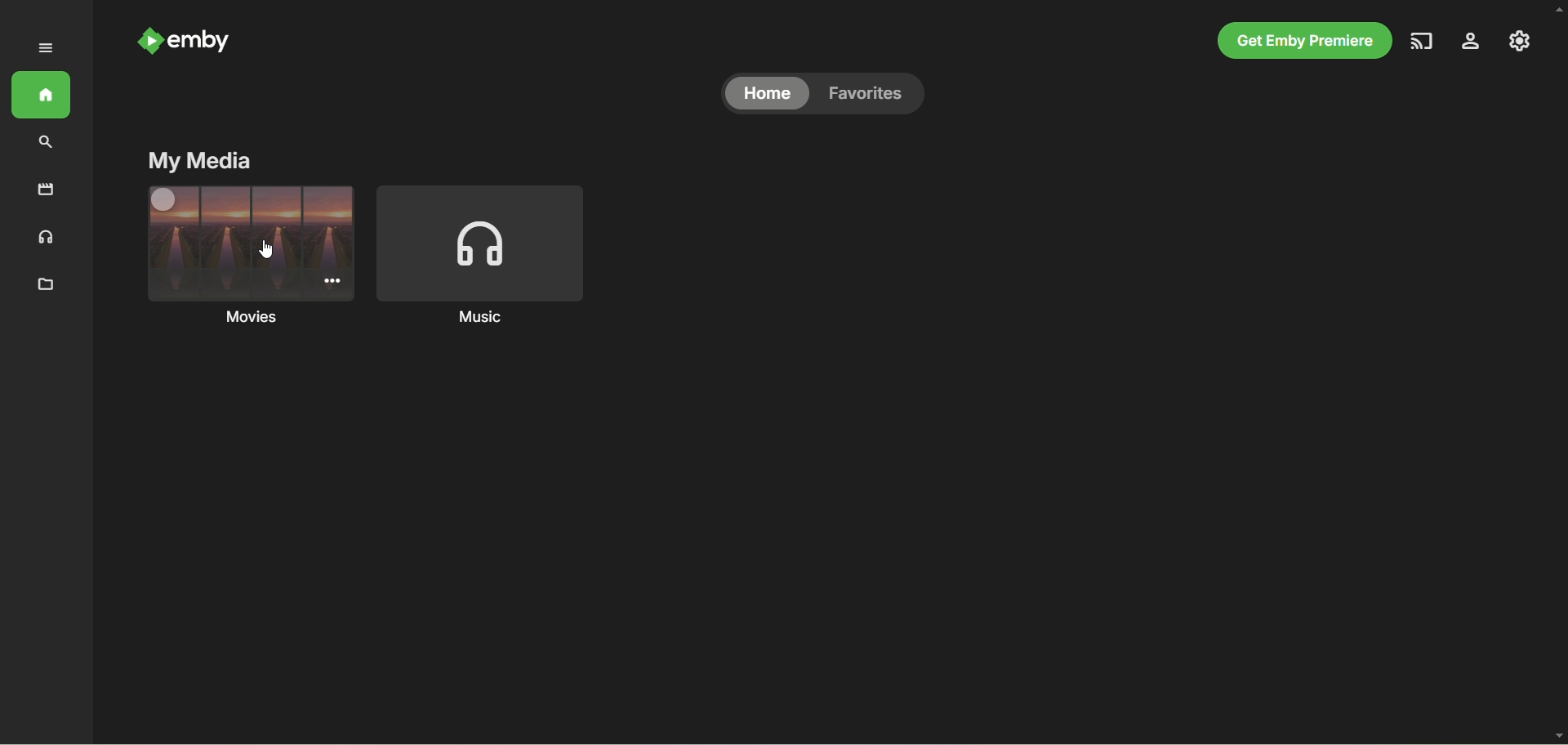  What do you see at coordinates (1558, 374) in the screenshot?
I see `vertical scroll bar` at bounding box center [1558, 374].